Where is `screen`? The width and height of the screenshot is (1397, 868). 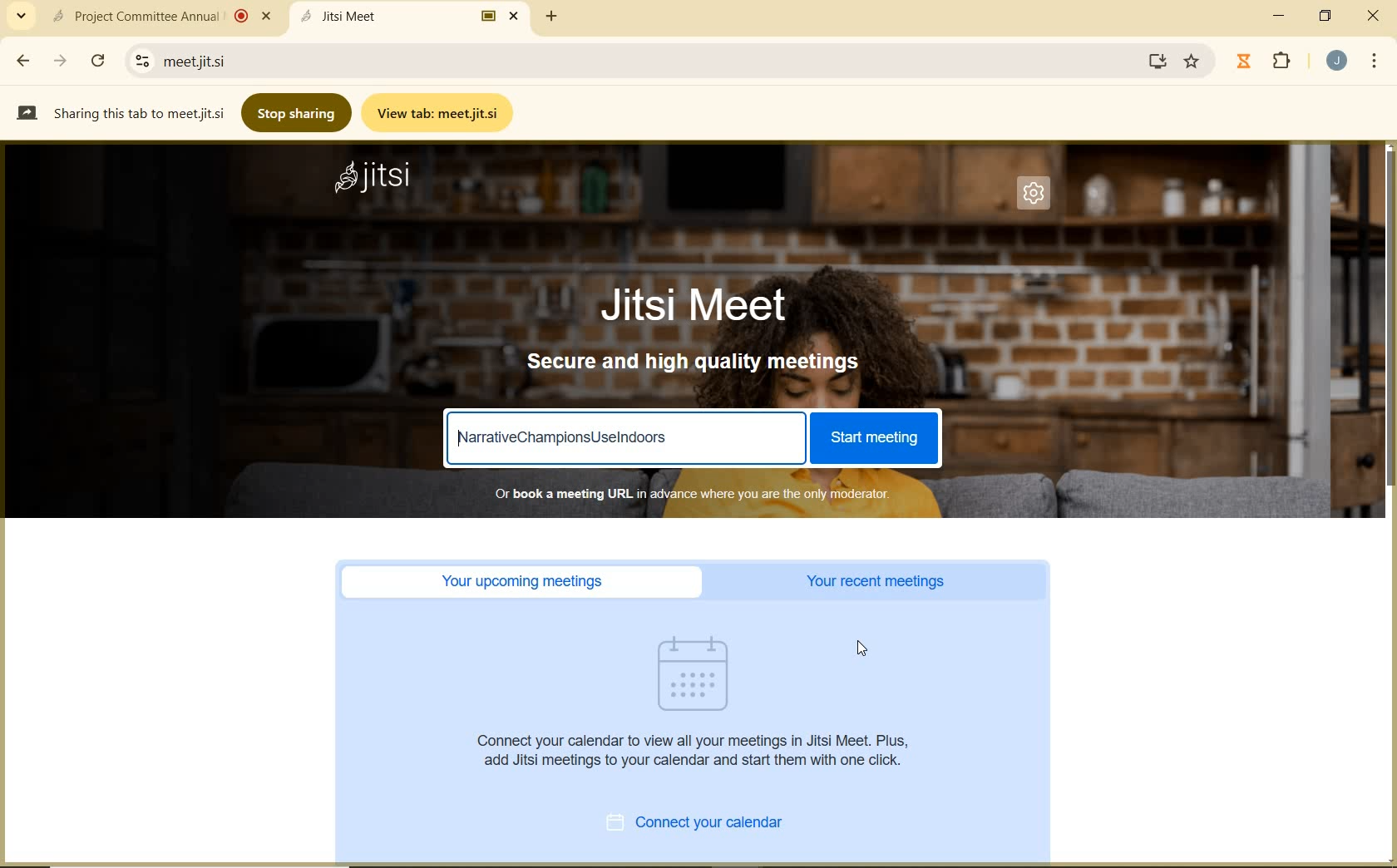
screen is located at coordinates (1154, 61).